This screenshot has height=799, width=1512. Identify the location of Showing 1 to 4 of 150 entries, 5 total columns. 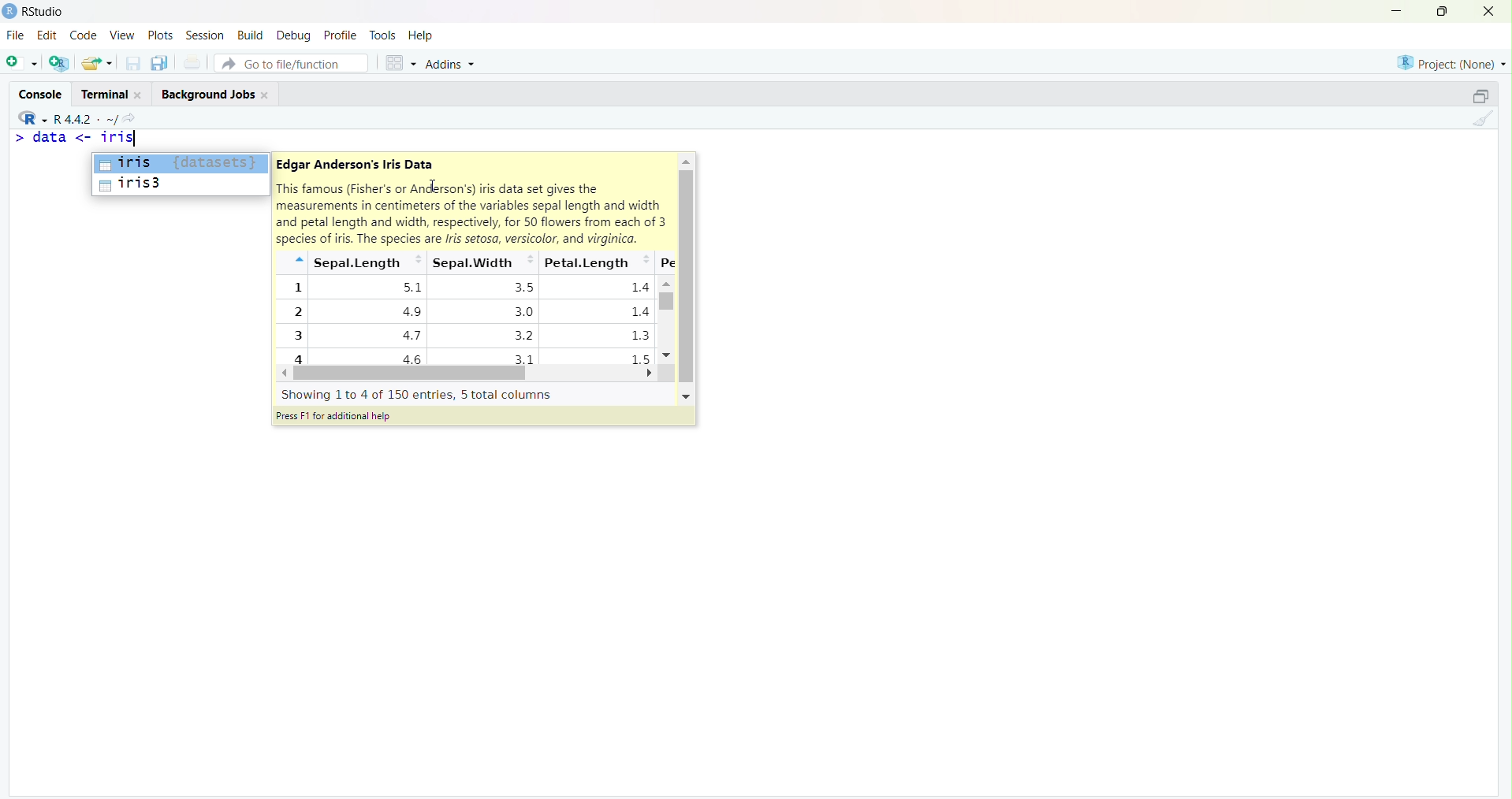
(418, 394).